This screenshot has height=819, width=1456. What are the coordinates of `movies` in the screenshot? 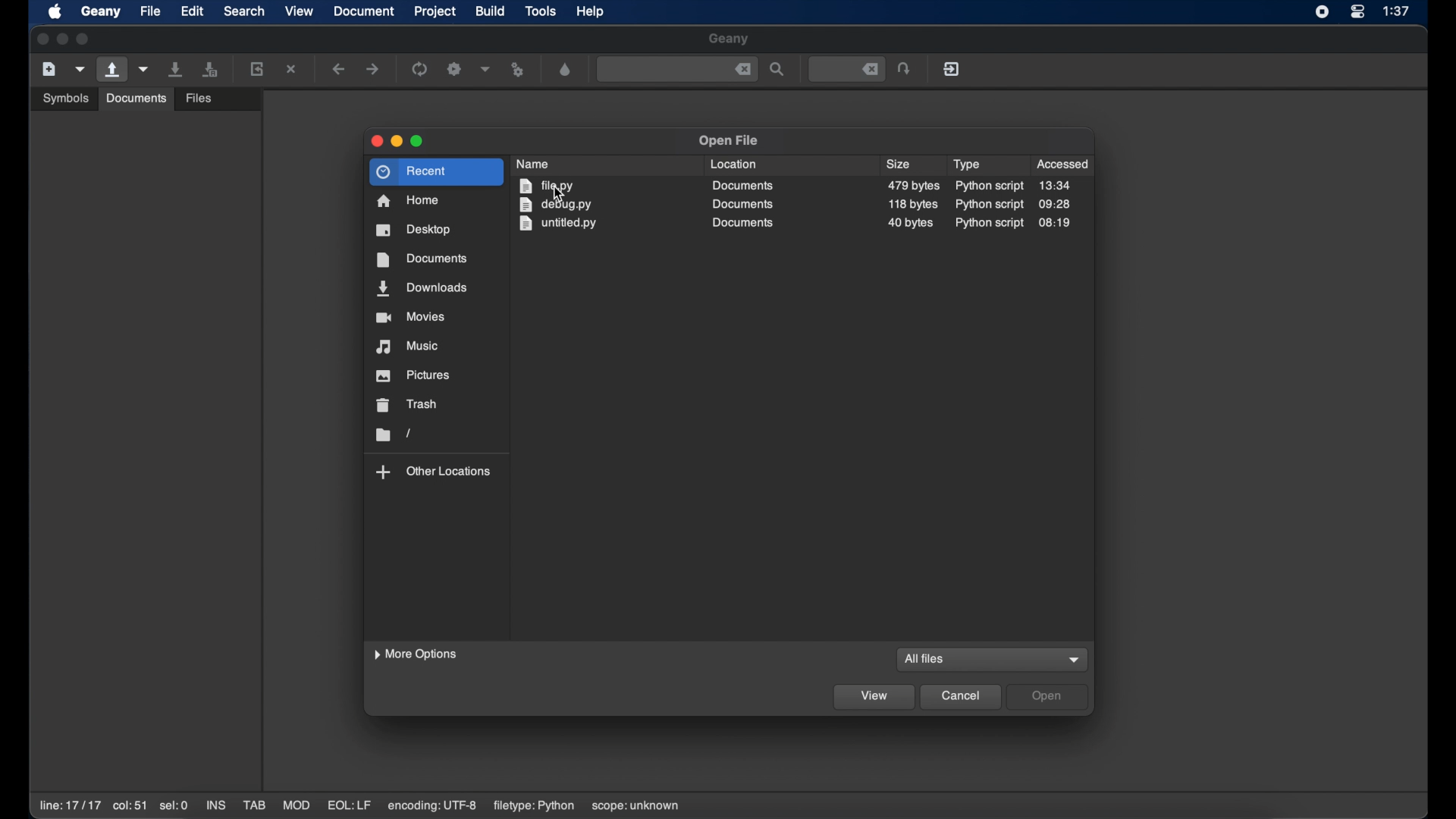 It's located at (410, 317).